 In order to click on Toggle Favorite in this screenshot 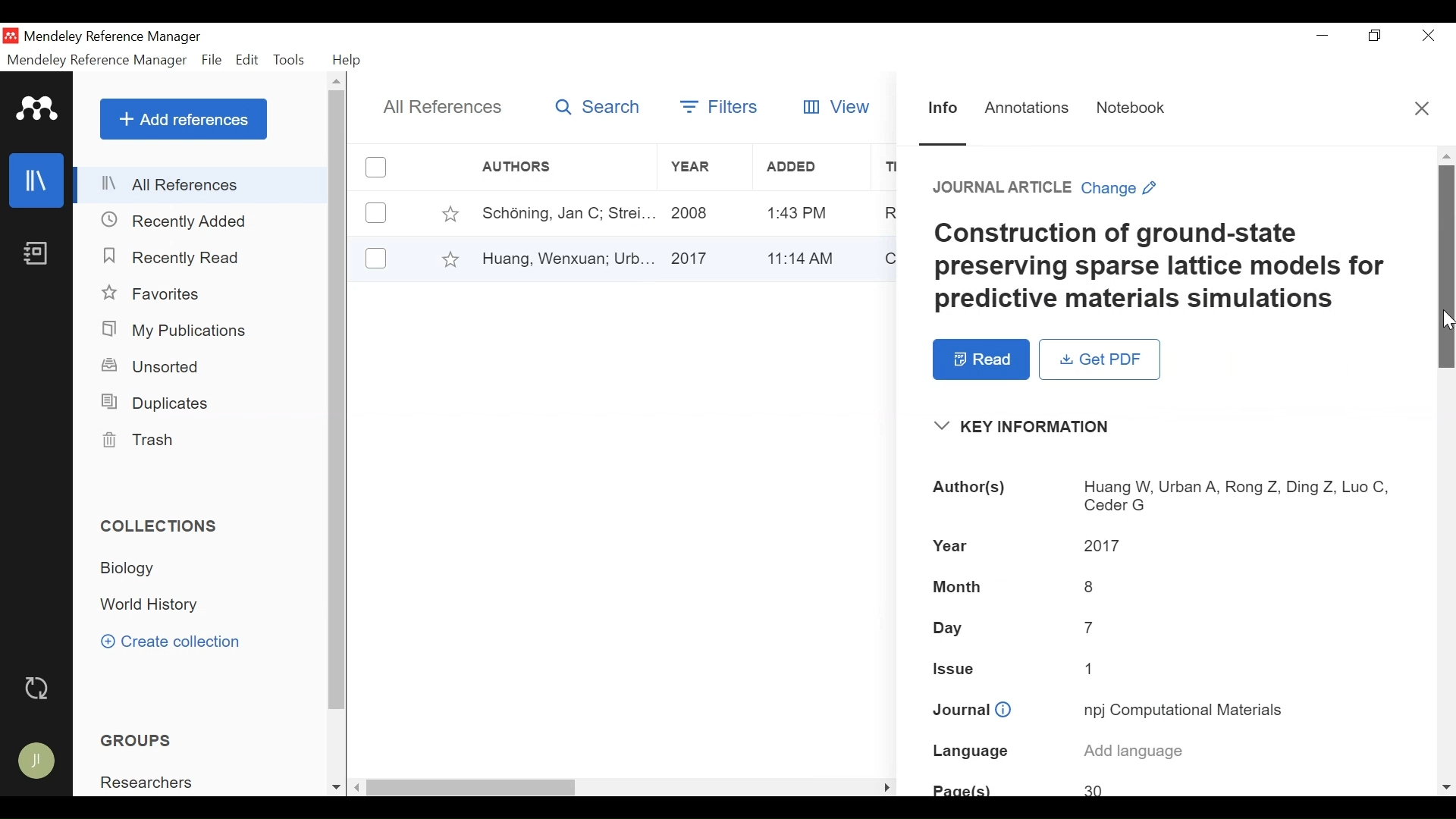, I will do `click(450, 213)`.